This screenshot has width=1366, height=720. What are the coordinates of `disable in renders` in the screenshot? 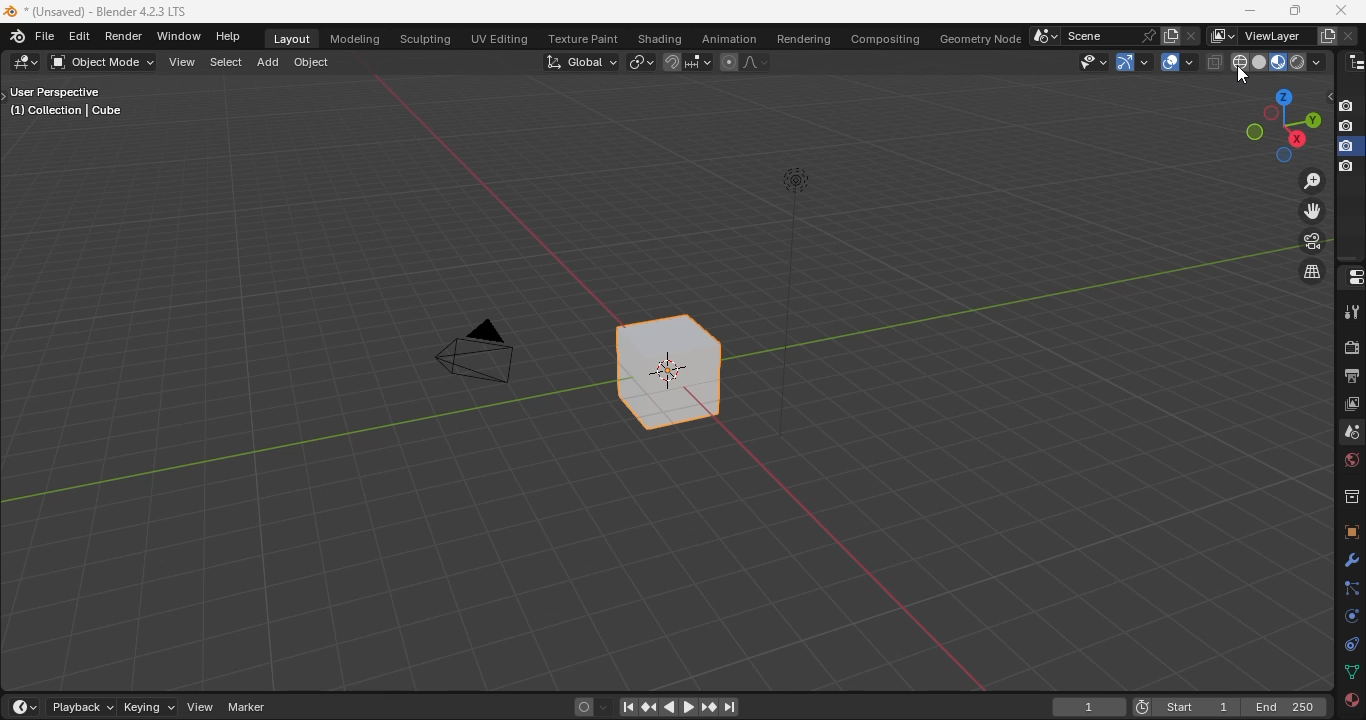 It's located at (1350, 105).